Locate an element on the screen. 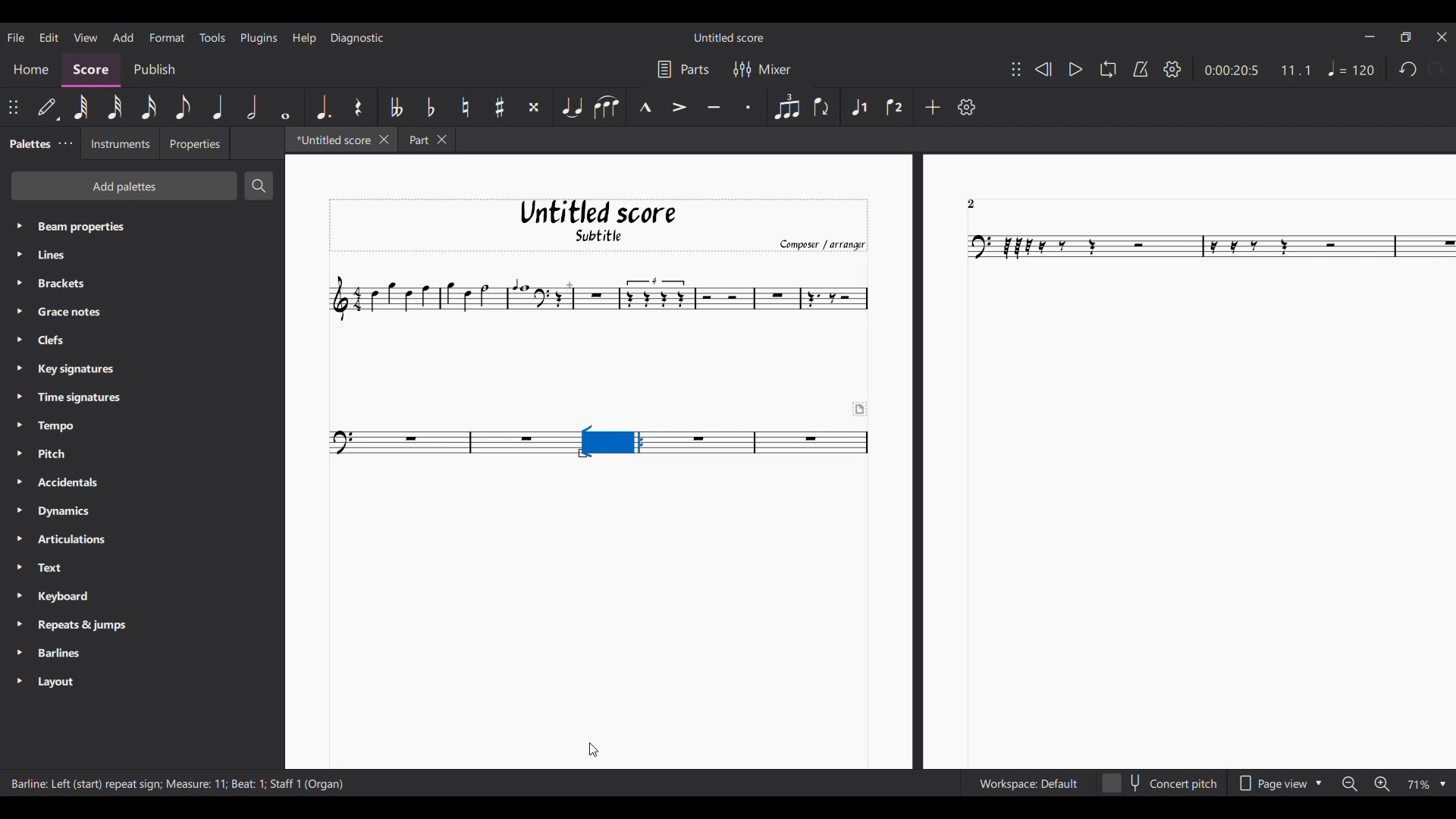  16th note is located at coordinates (149, 107).